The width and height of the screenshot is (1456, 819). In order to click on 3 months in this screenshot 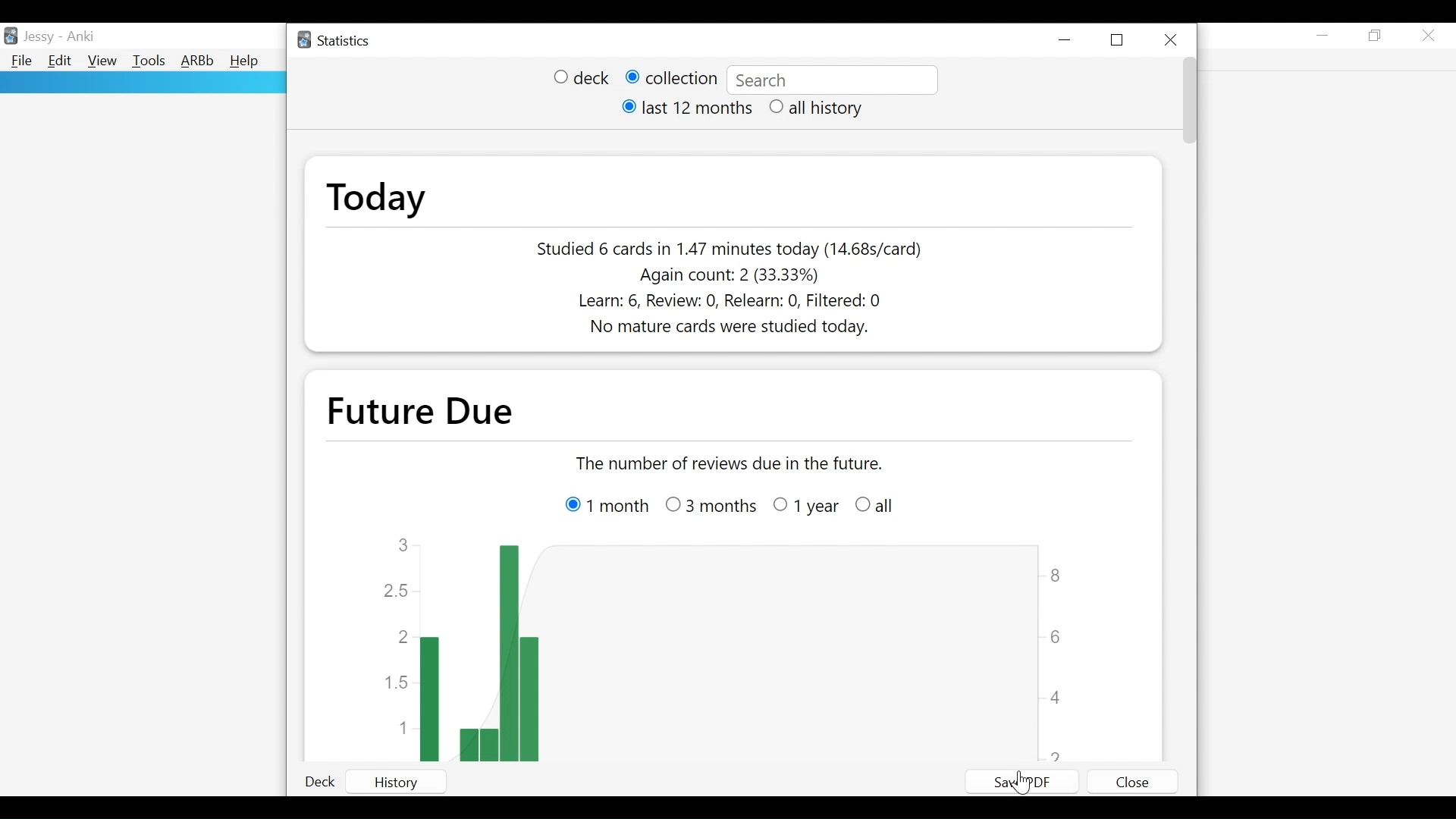, I will do `click(710, 502)`.